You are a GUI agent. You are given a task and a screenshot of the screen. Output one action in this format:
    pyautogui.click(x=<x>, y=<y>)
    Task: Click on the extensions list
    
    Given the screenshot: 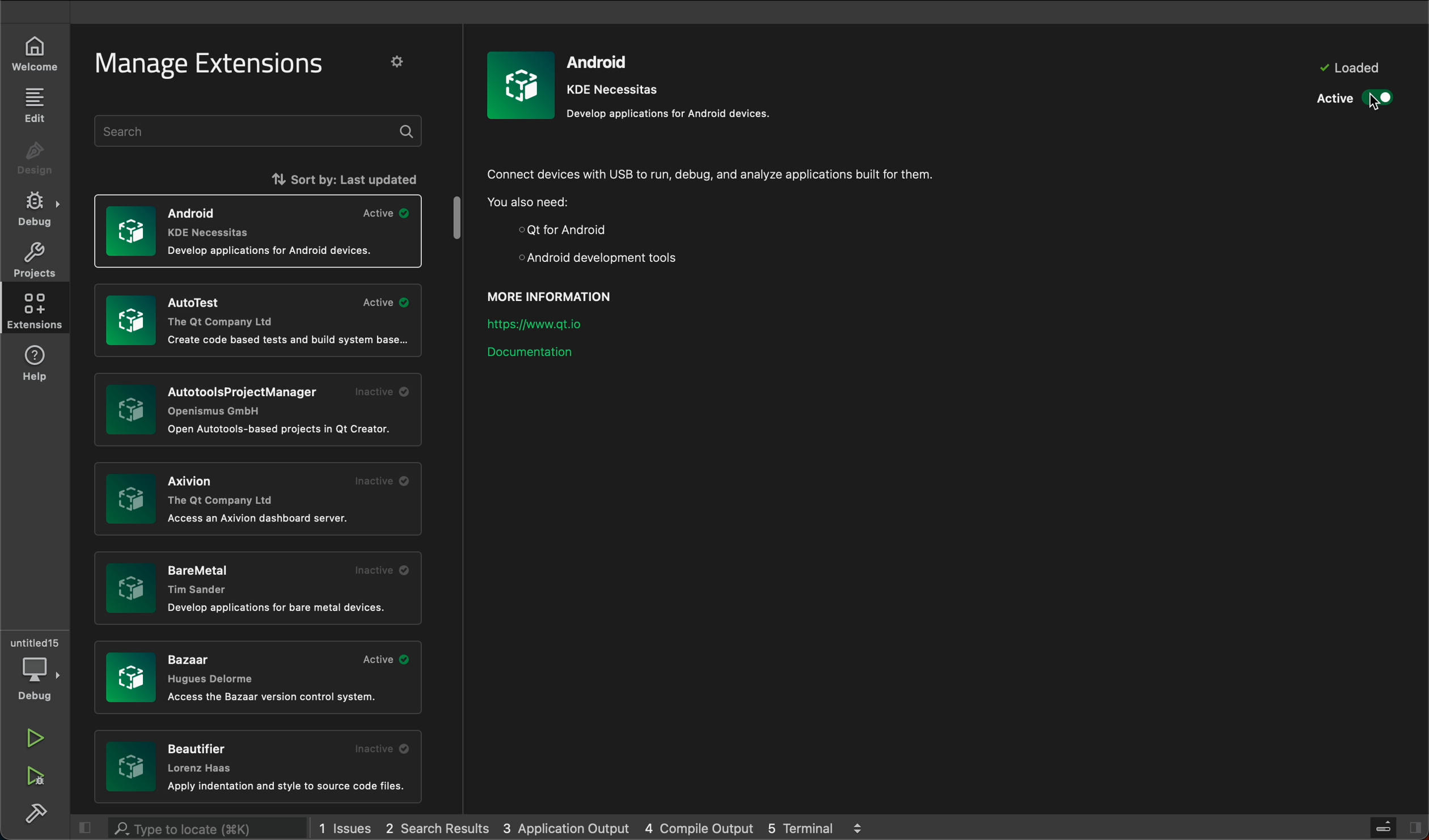 What is the action you would take?
    pyautogui.click(x=259, y=502)
    